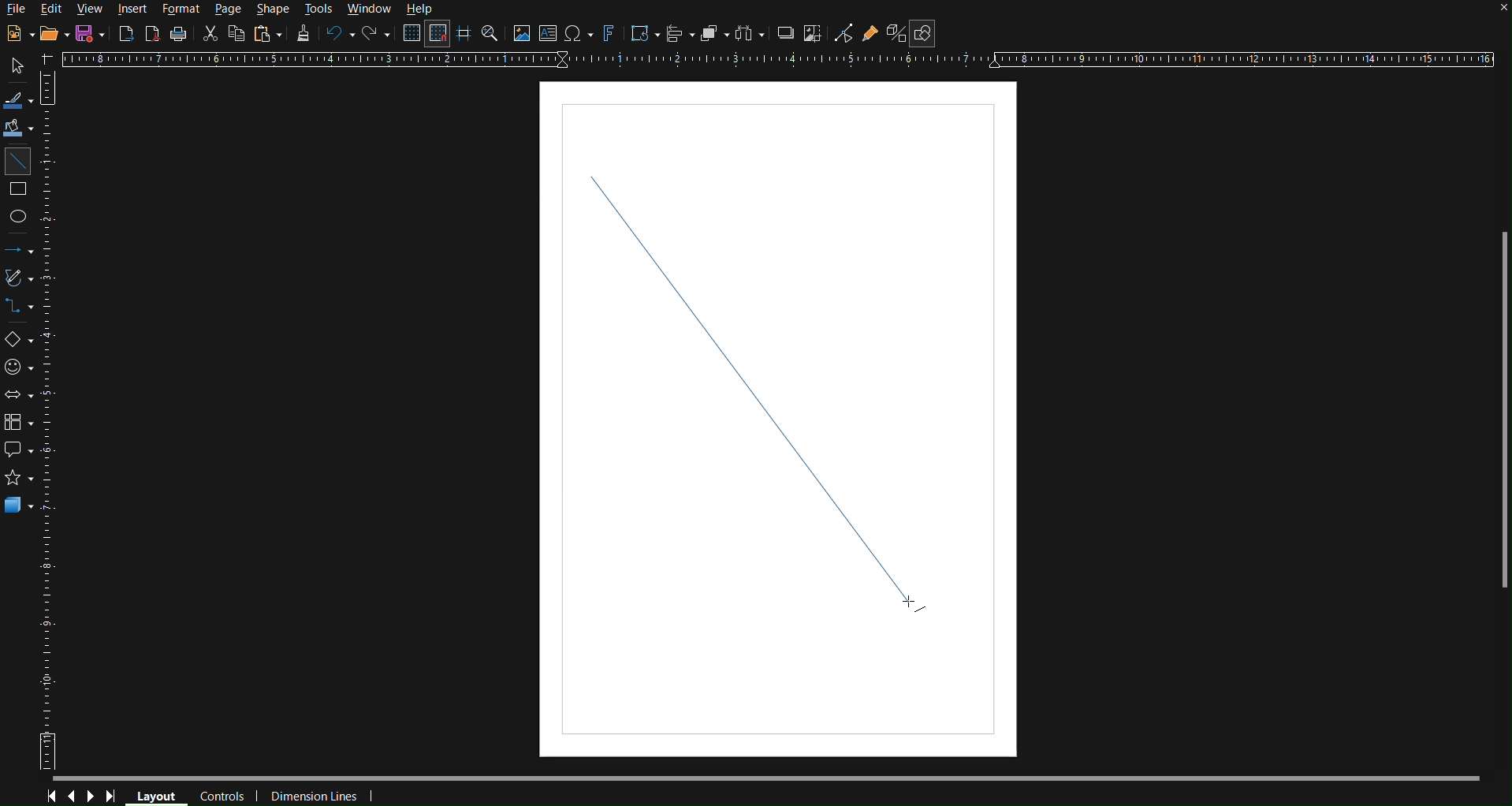 Image resolution: width=1512 pixels, height=806 pixels. I want to click on Layout, so click(158, 796).